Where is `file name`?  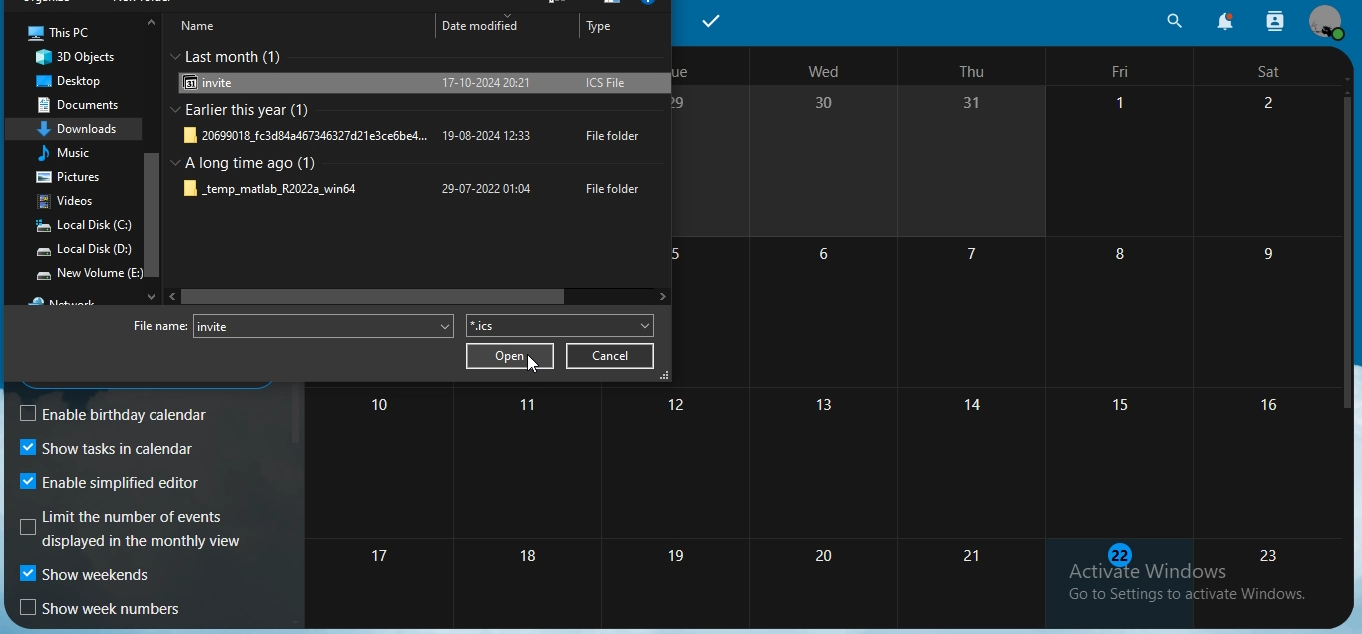
file name is located at coordinates (160, 326).